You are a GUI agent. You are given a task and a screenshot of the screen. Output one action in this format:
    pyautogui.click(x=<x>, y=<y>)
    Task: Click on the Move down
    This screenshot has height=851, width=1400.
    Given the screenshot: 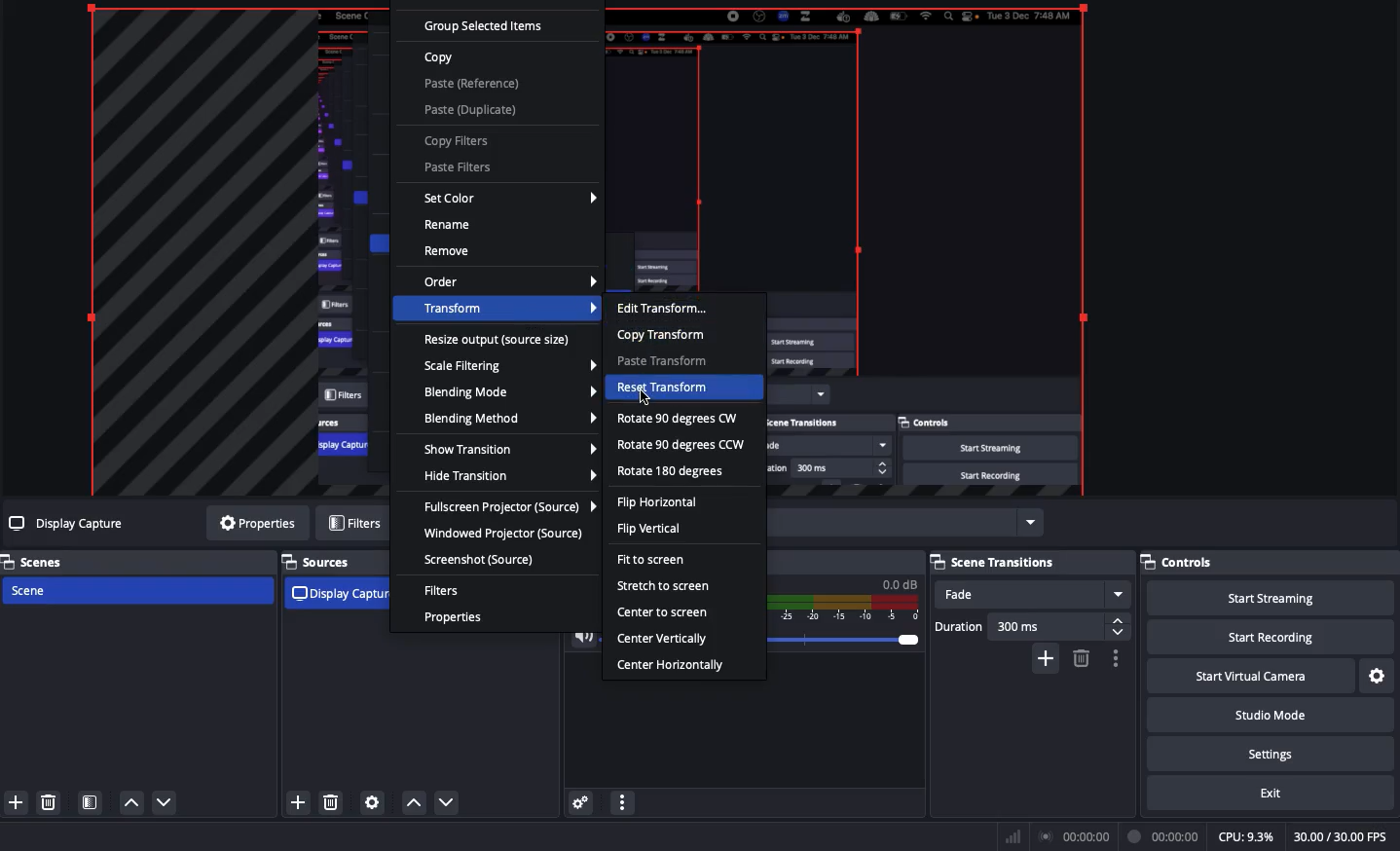 What is the action you would take?
    pyautogui.click(x=166, y=801)
    